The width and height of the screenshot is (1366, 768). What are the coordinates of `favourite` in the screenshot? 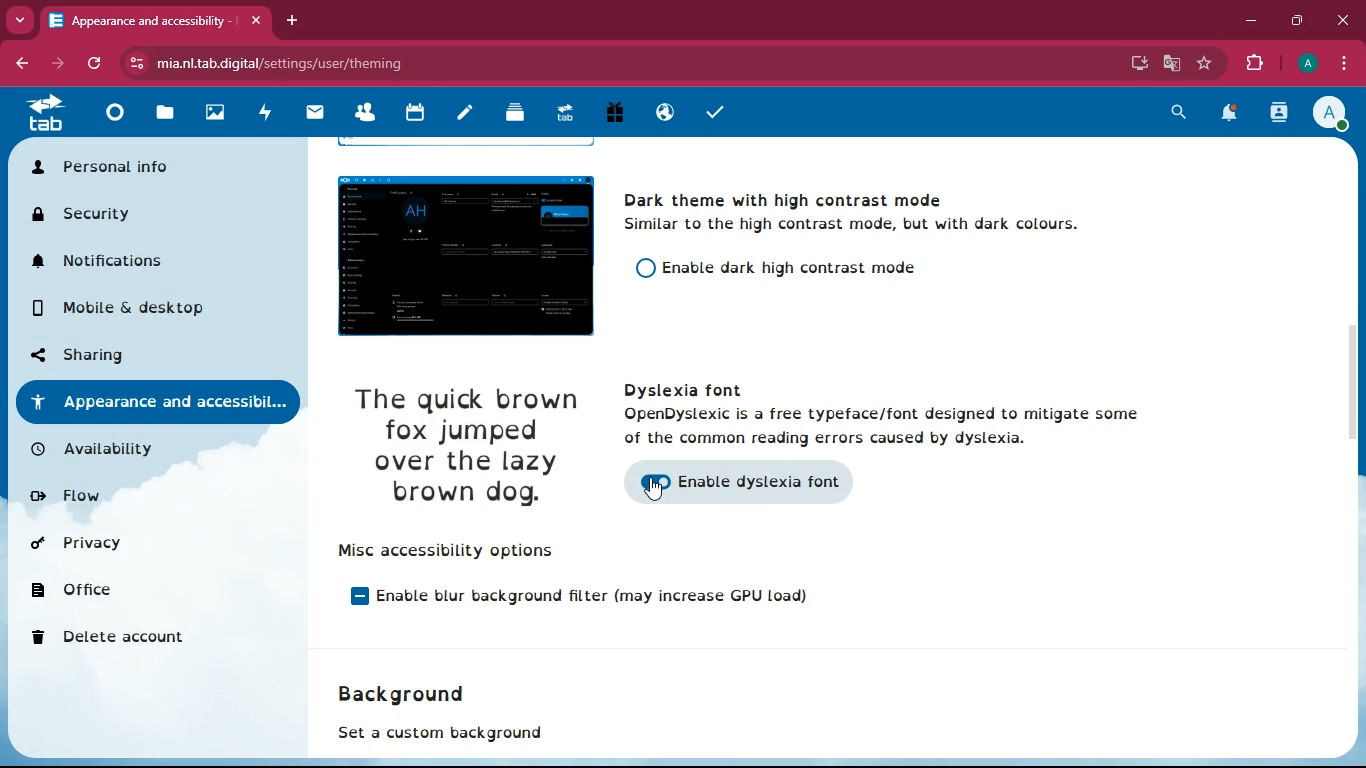 It's located at (1205, 63).